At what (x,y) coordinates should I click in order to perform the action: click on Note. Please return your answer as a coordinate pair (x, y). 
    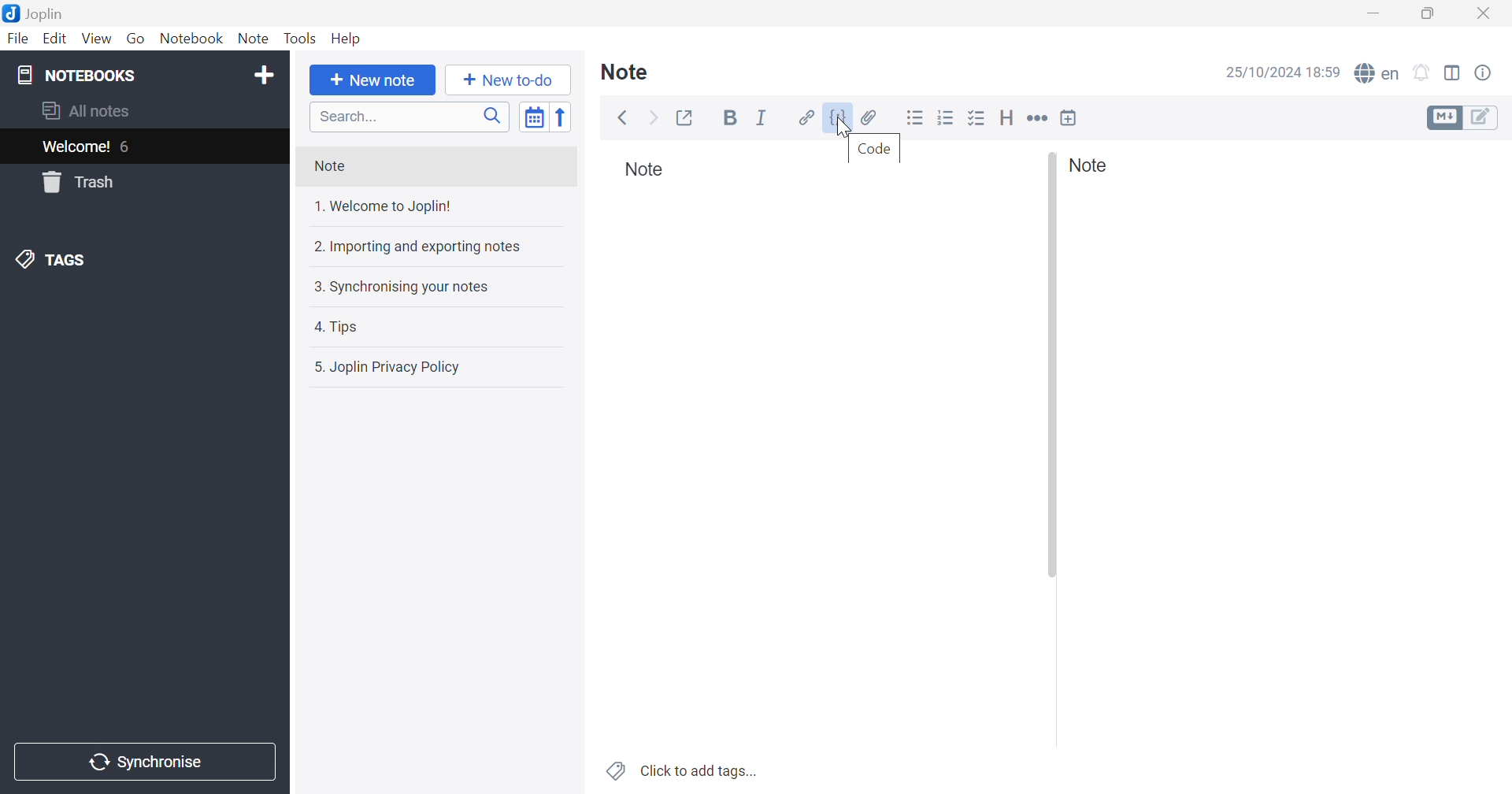
    Looking at the image, I should click on (645, 171).